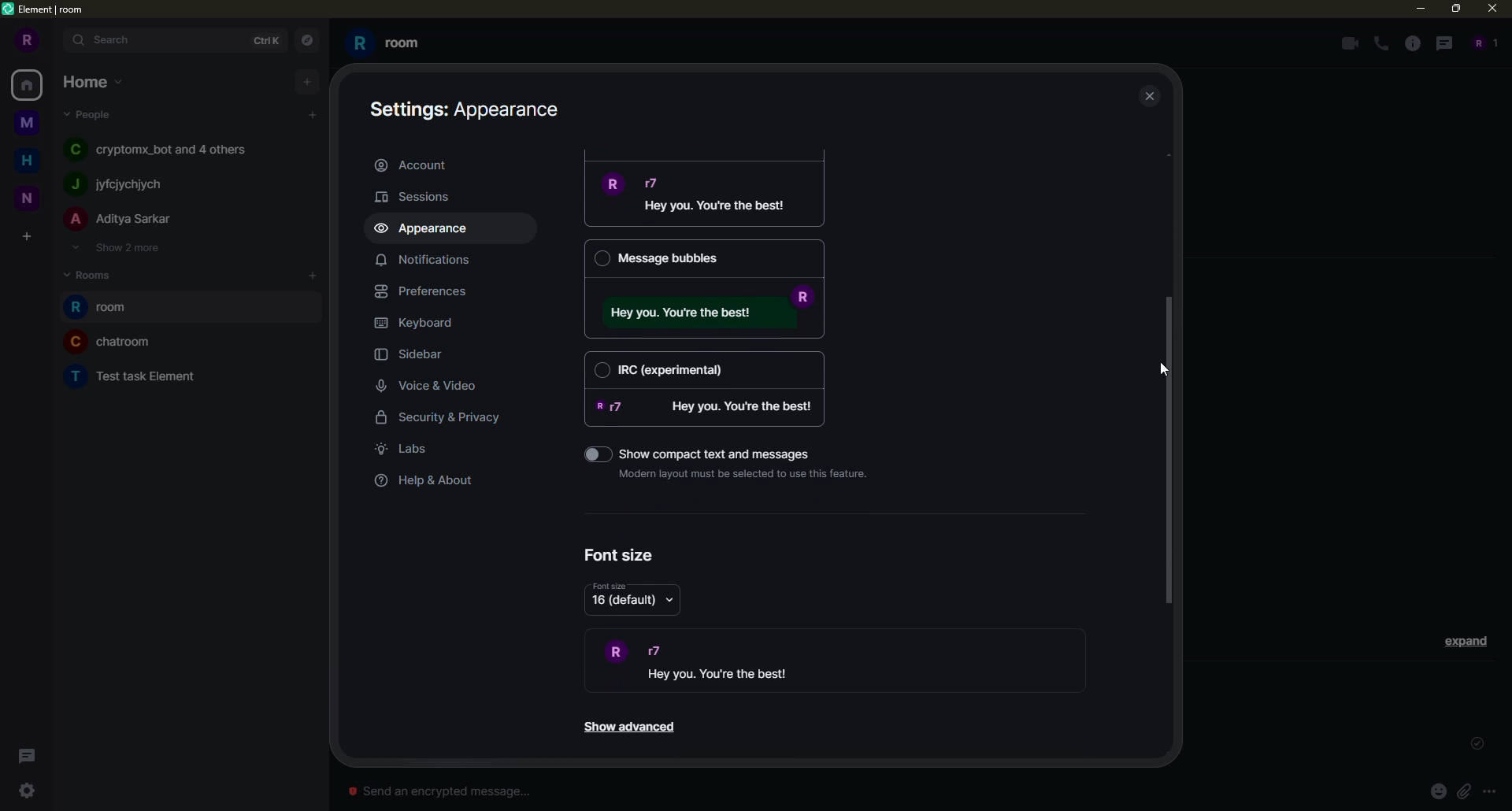 The height and width of the screenshot is (811, 1512). I want to click on people, so click(121, 220).